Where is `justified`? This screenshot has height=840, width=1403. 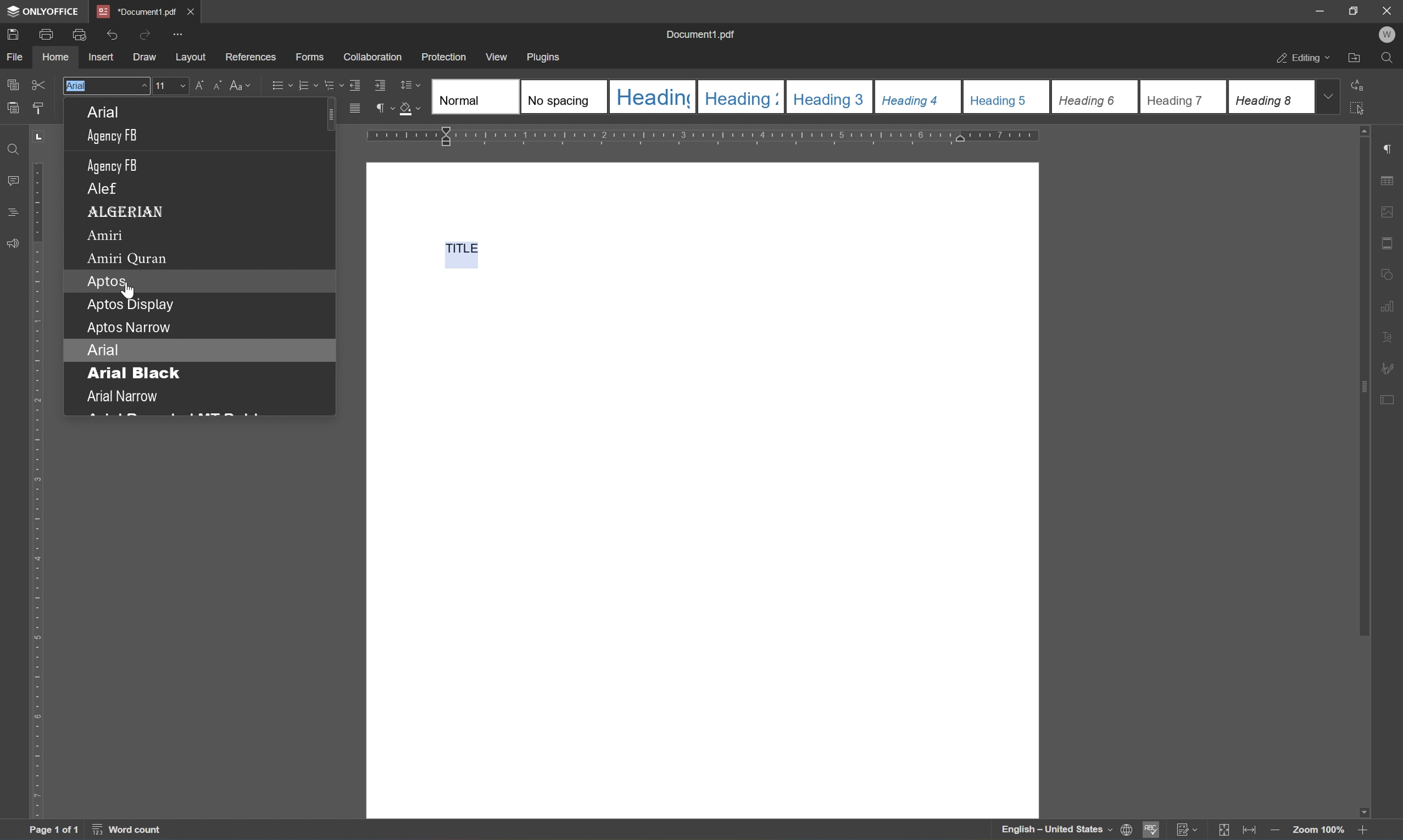 justified is located at coordinates (355, 108).